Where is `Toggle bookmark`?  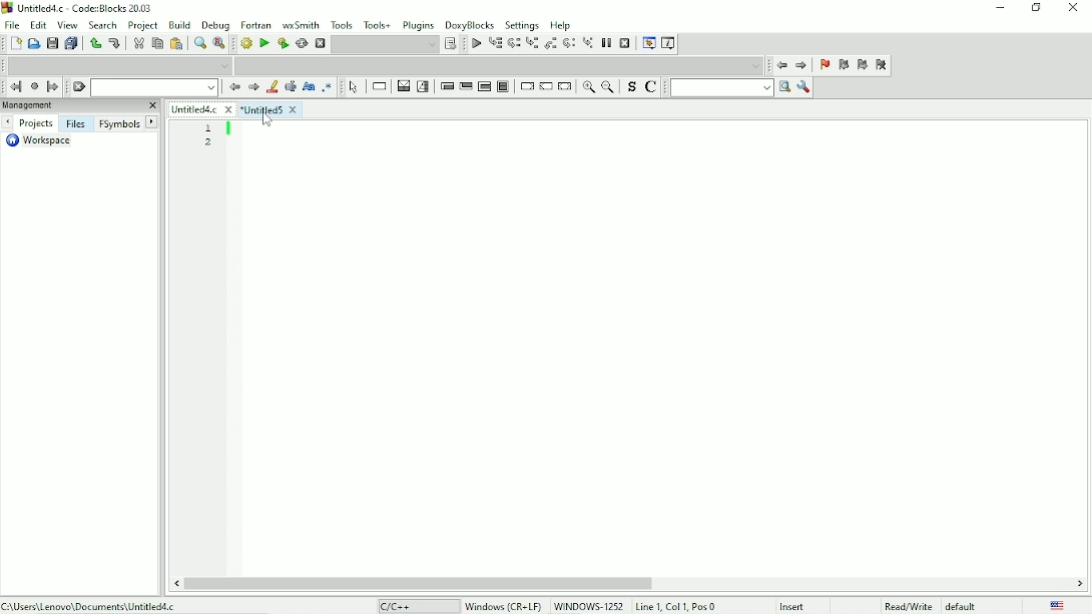
Toggle bookmark is located at coordinates (823, 66).